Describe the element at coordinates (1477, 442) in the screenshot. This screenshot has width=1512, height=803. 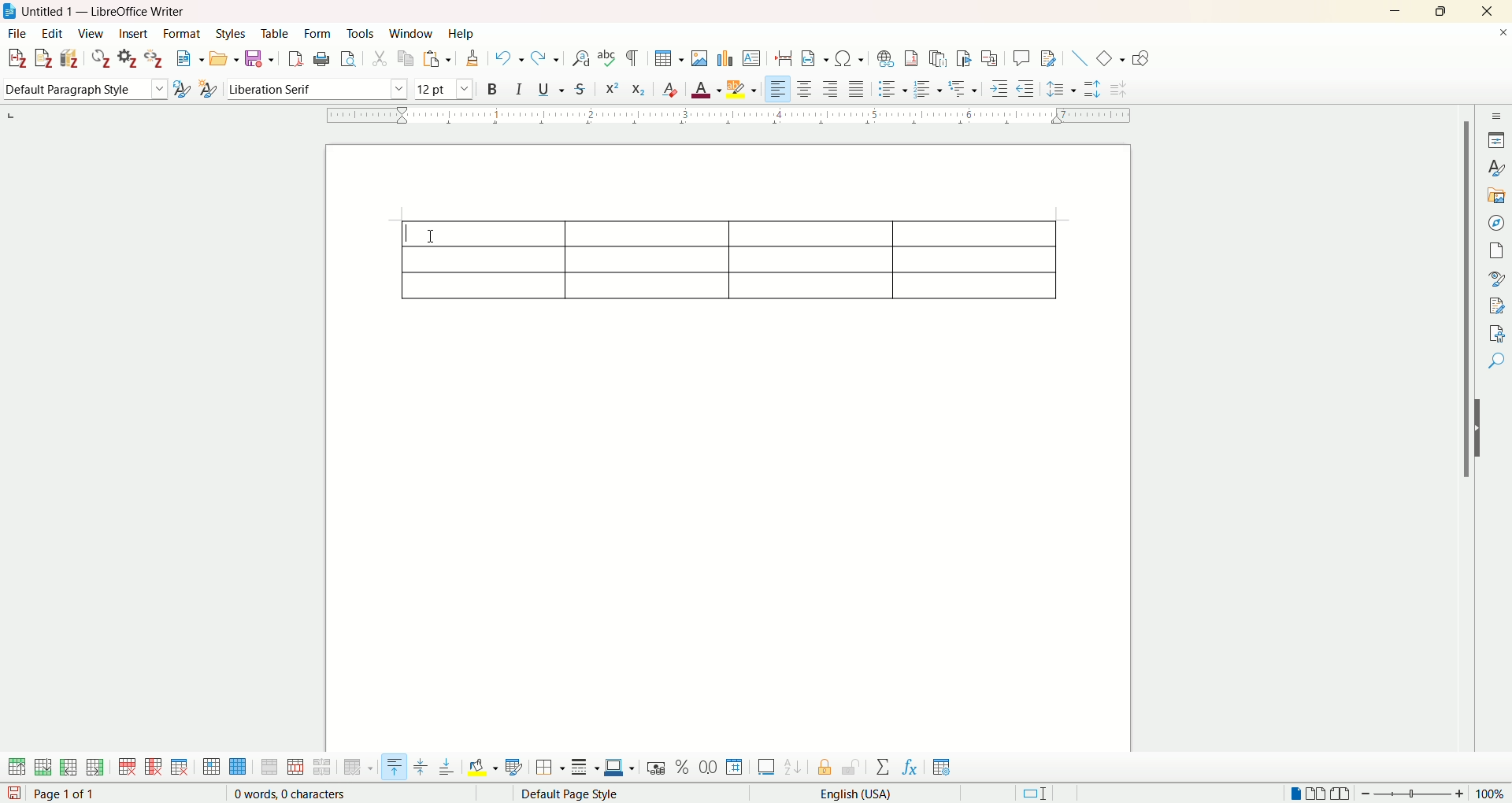
I see `hide` at that location.